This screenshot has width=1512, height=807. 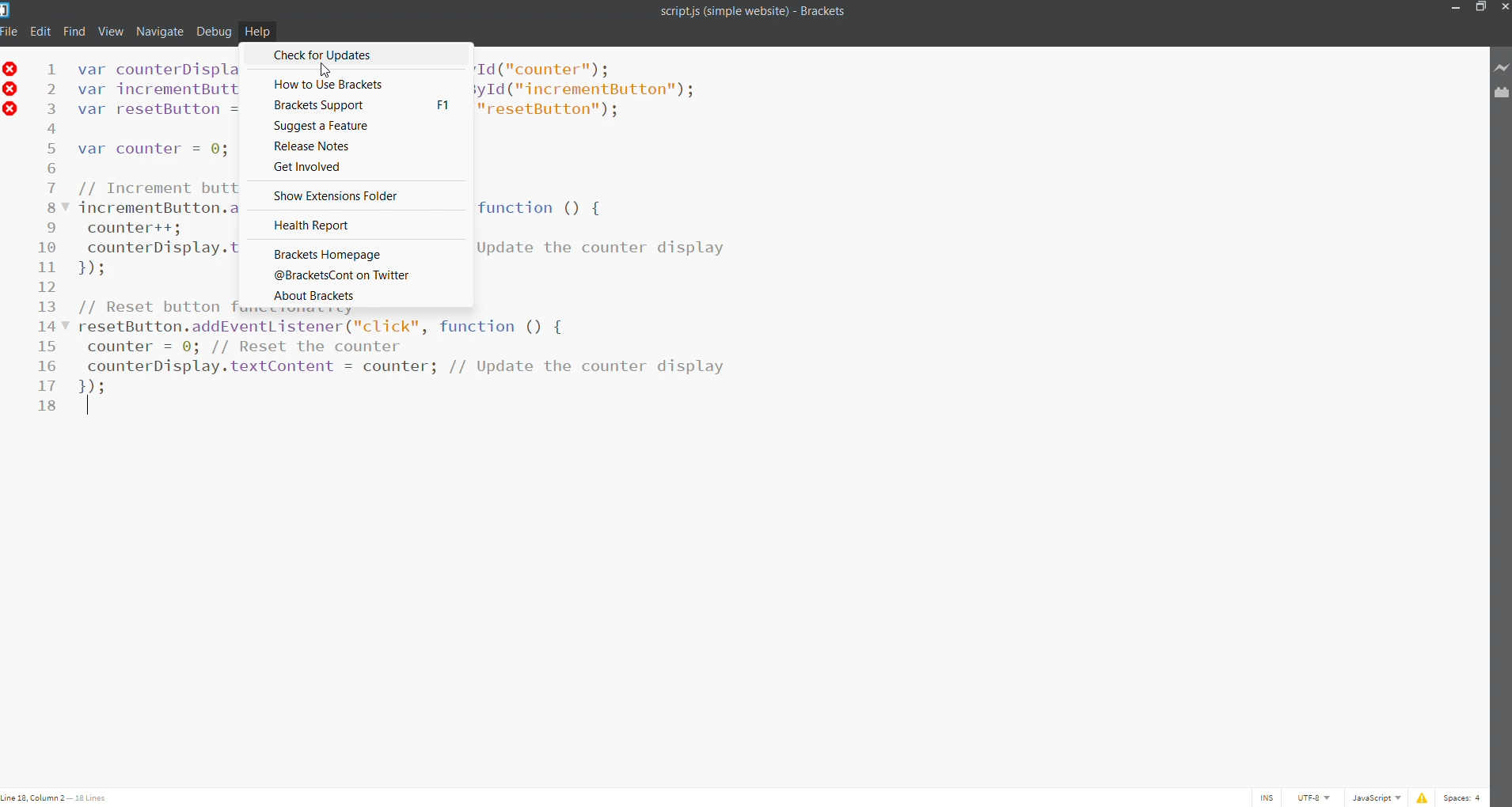 What do you see at coordinates (10, 94) in the screenshot?
I see `error status` at bounding box center [10, 94].